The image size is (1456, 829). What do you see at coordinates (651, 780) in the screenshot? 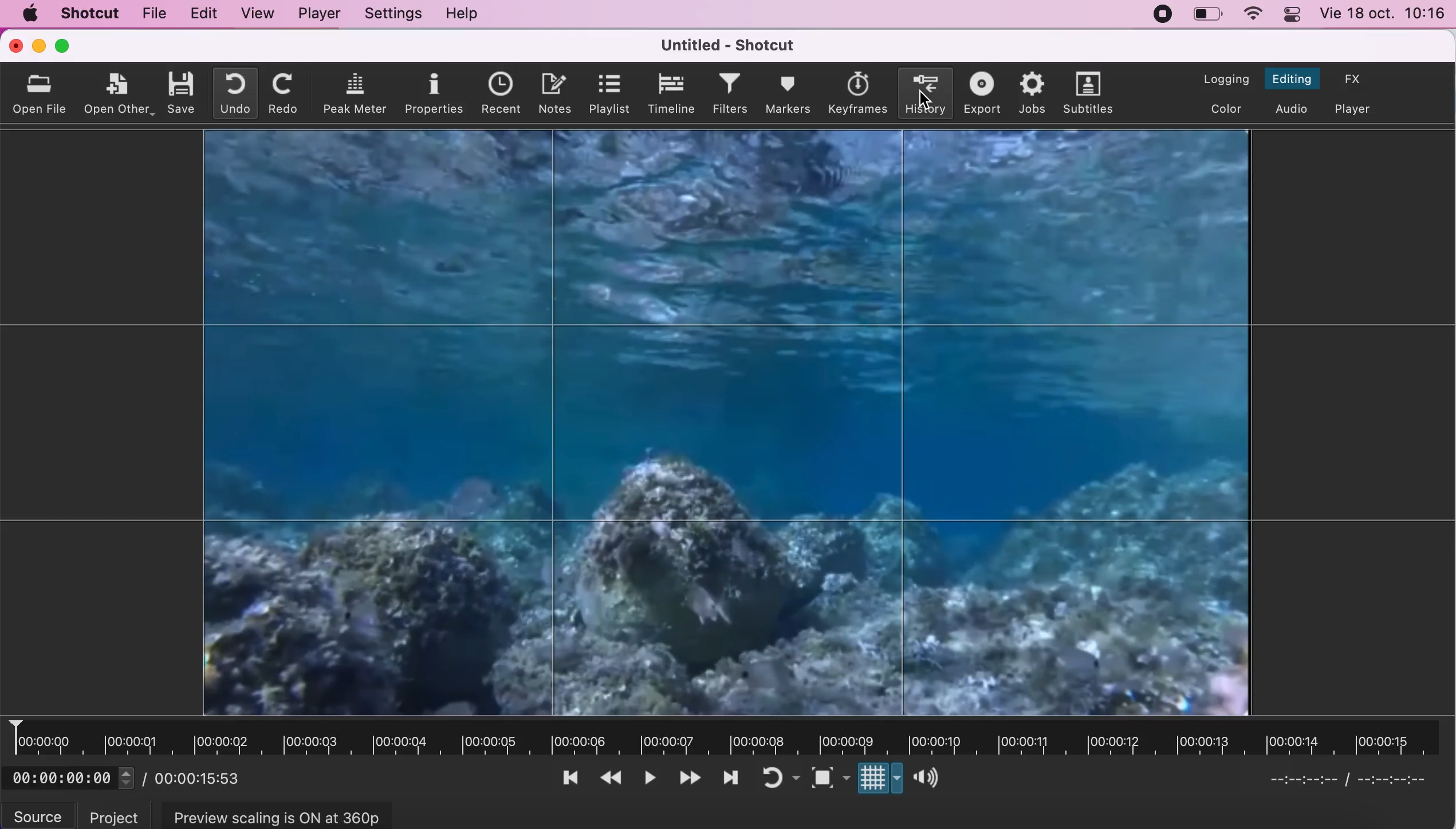
I see `toggle play or pause` at bounding box center [651, 780].